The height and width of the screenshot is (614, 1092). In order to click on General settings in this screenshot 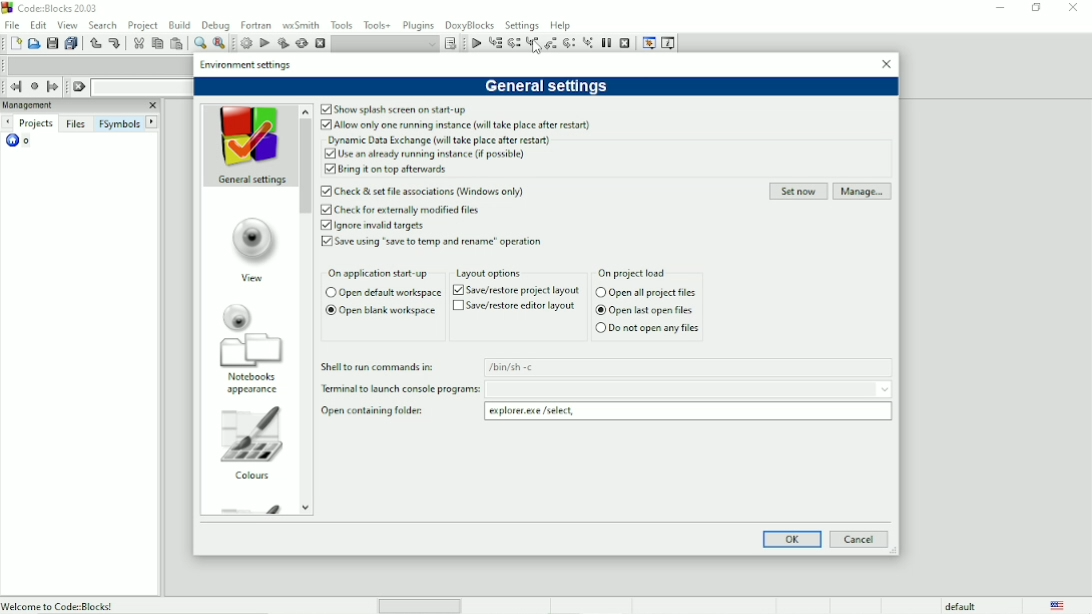, I will do `click(548, 87)`.